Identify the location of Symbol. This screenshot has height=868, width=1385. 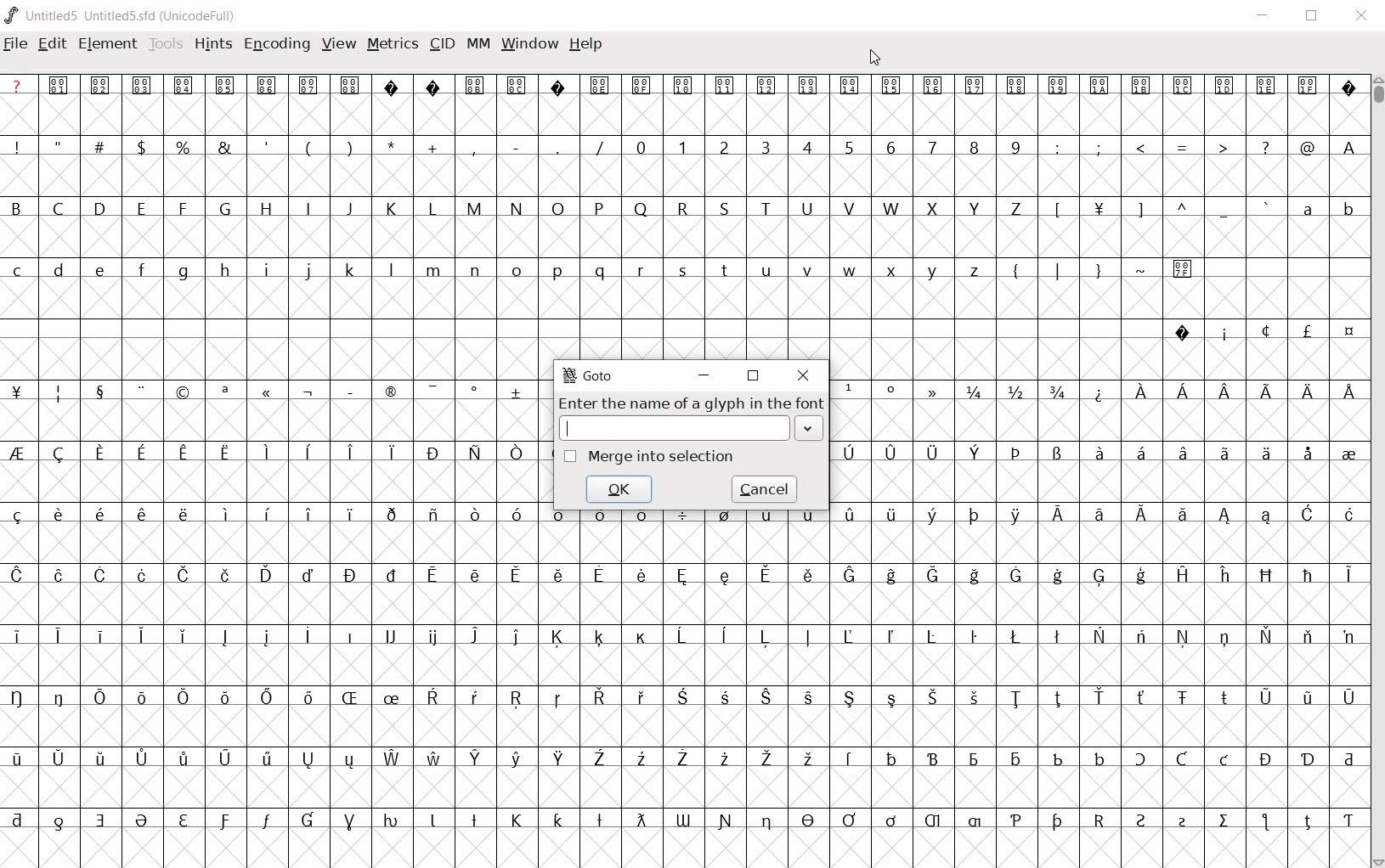
(184, 86).